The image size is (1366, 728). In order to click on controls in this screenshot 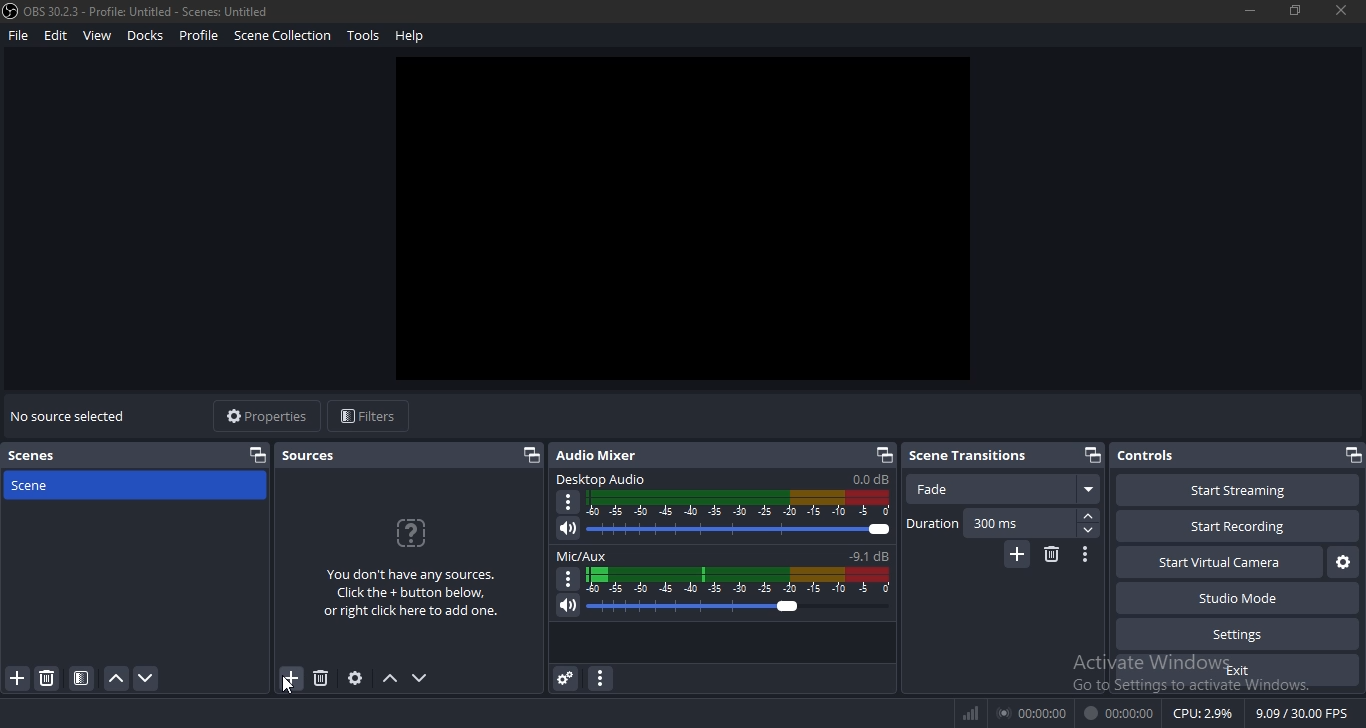, I will do `click(1144, 458)`.